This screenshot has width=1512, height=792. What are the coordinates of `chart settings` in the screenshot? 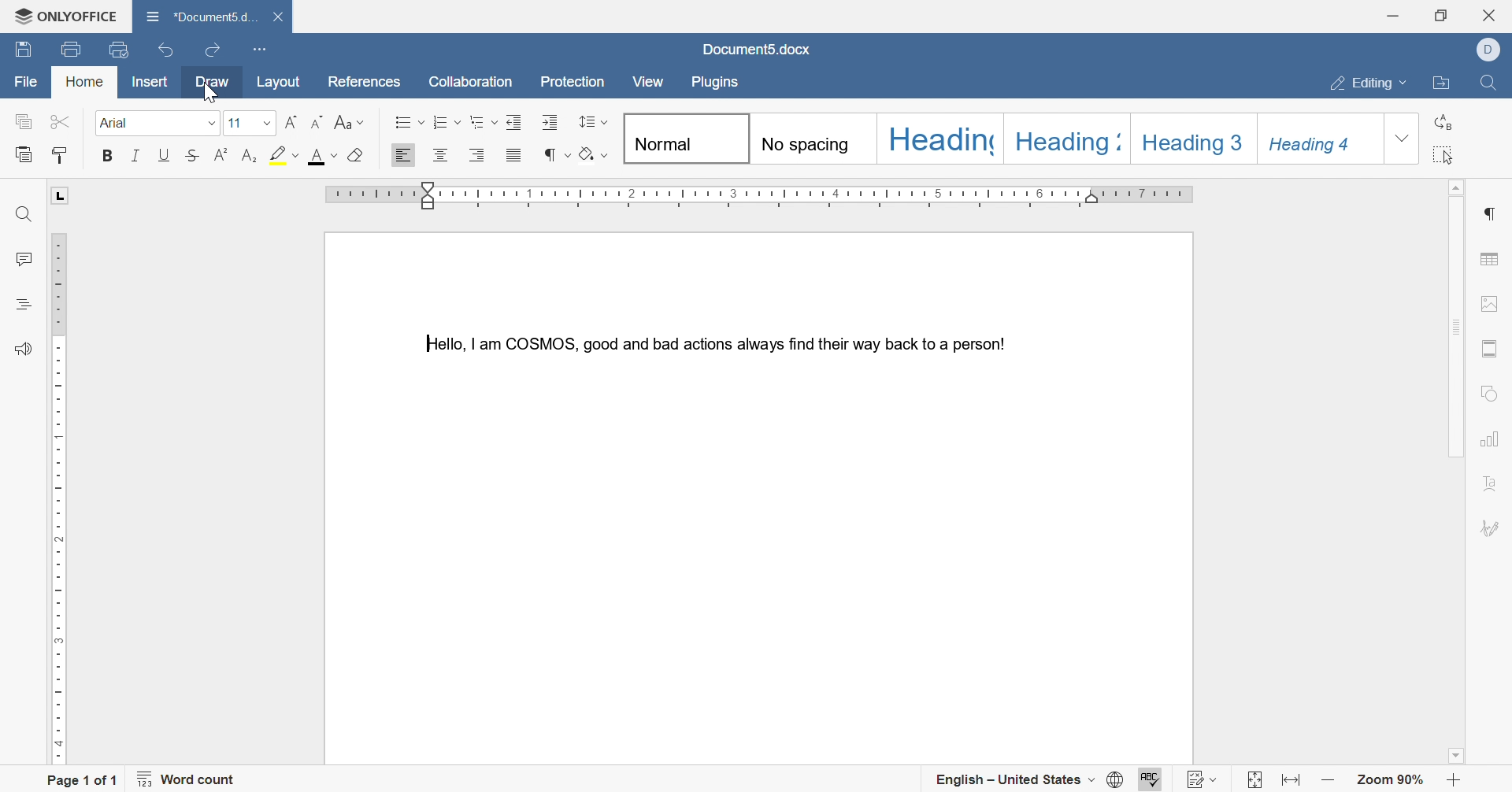 It's located at (1490, 441).